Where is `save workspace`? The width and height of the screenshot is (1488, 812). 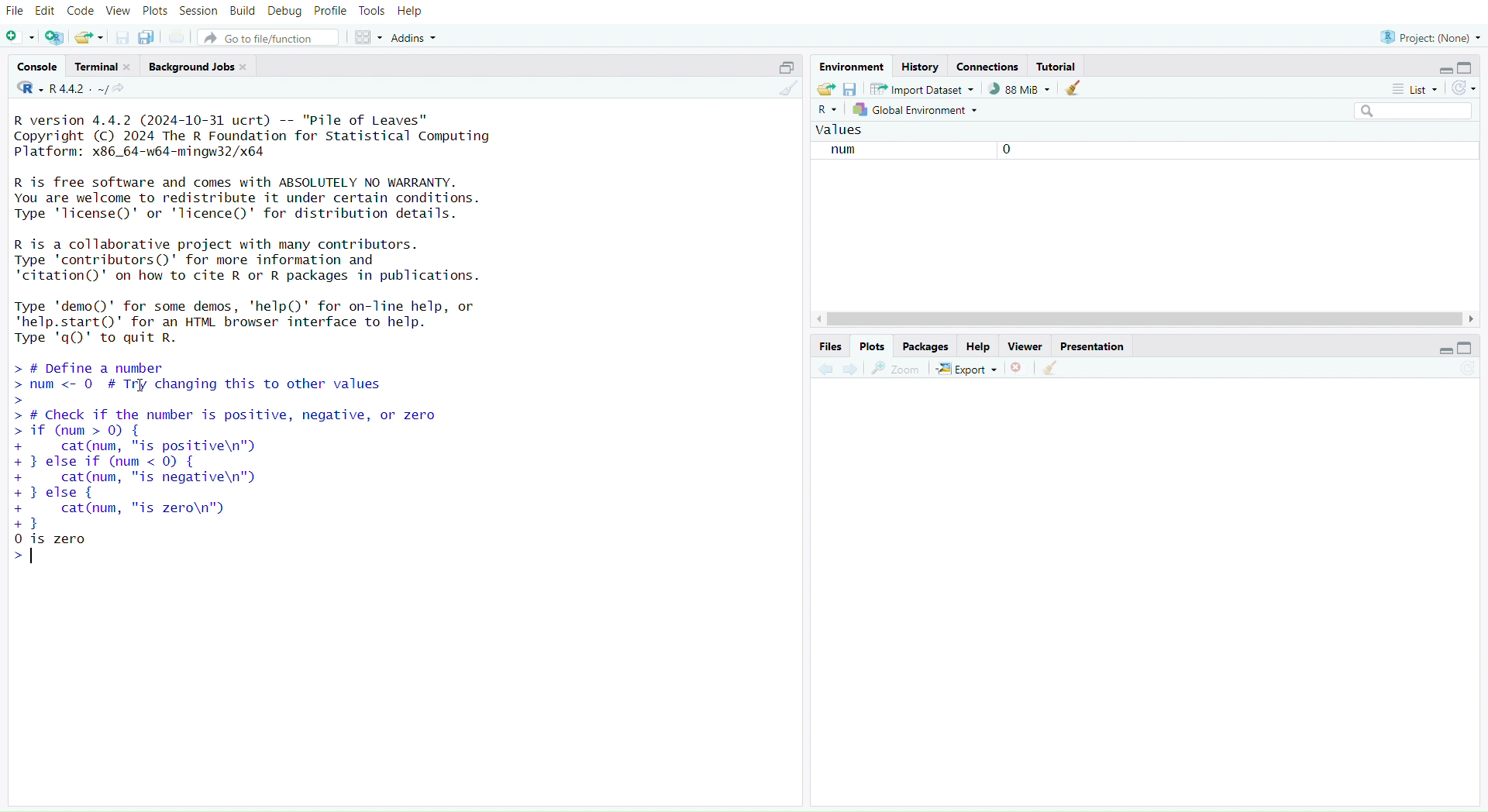
save workspace is located at coordinates (850, 91).